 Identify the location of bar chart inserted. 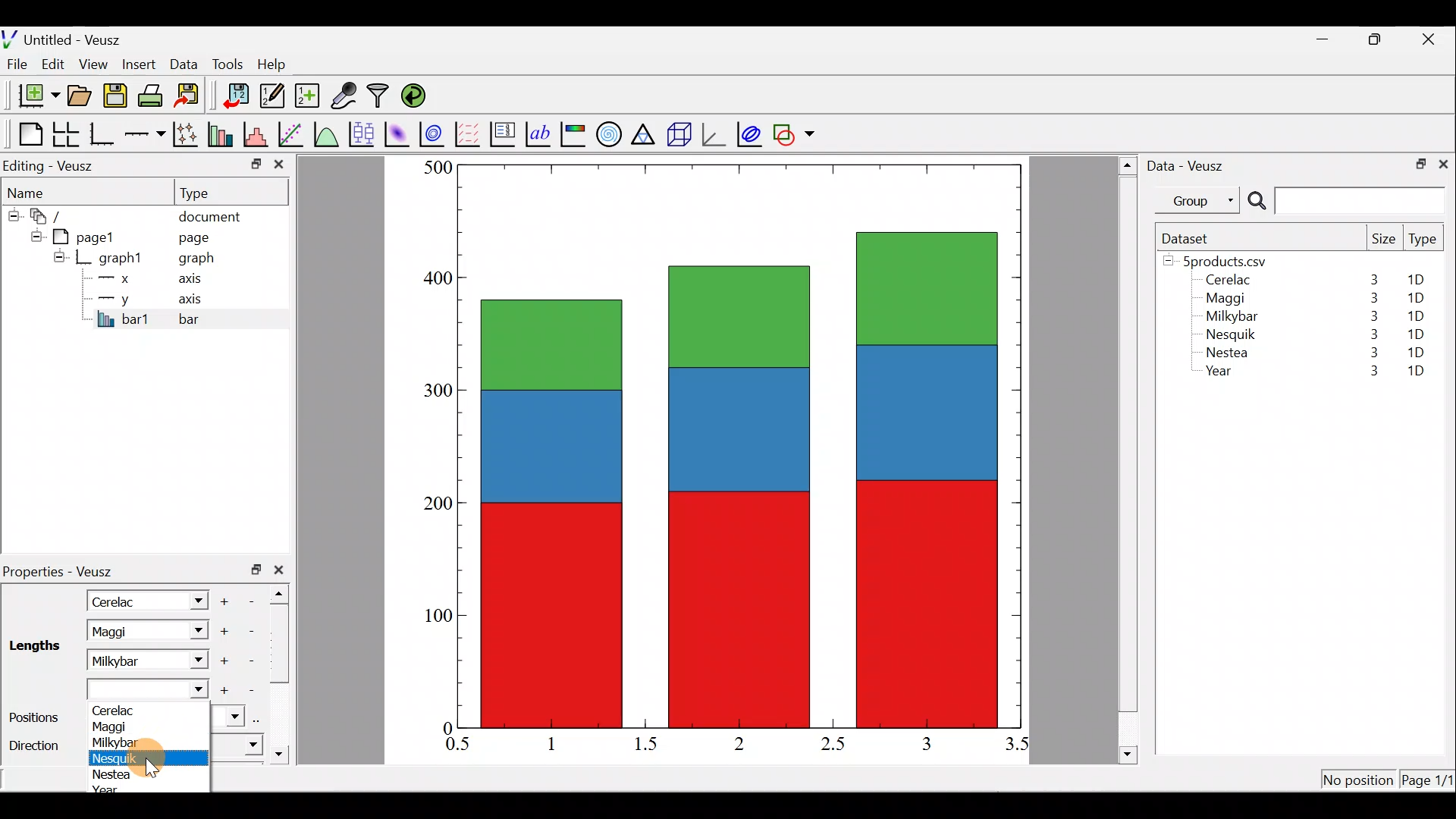
(741, 444).